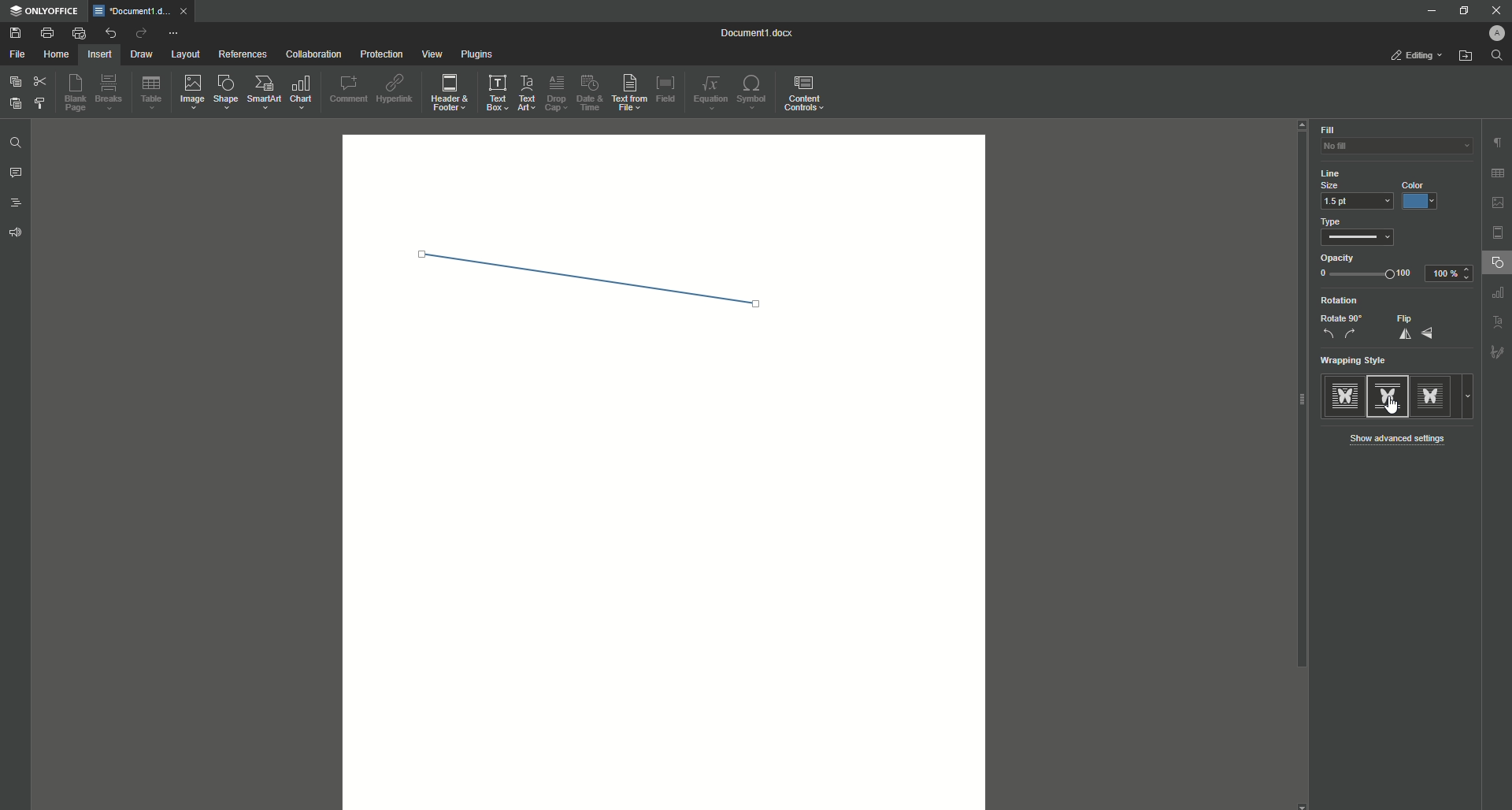  I want to click on Draw, so click(141, 55).